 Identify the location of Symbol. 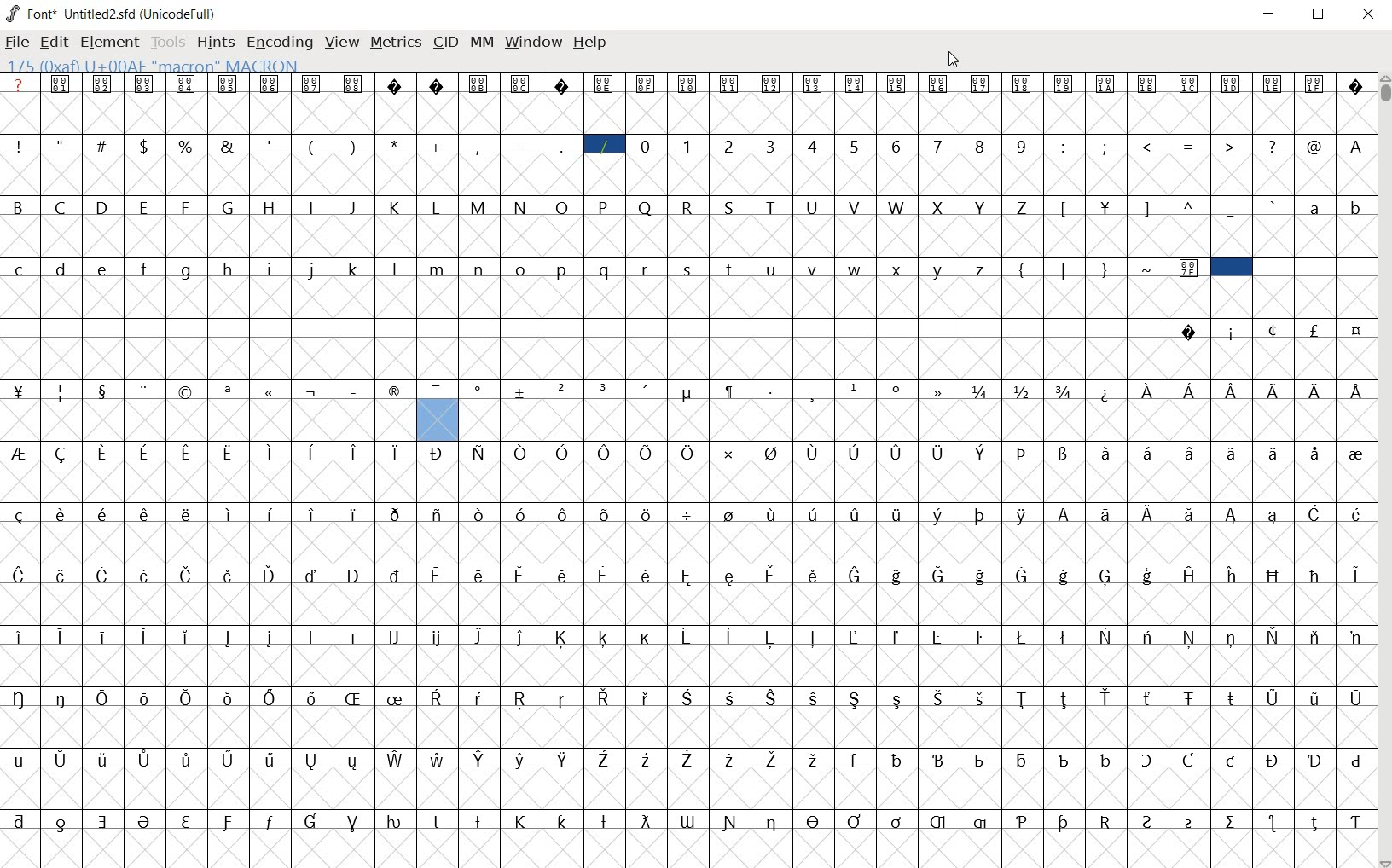
(772, 454).